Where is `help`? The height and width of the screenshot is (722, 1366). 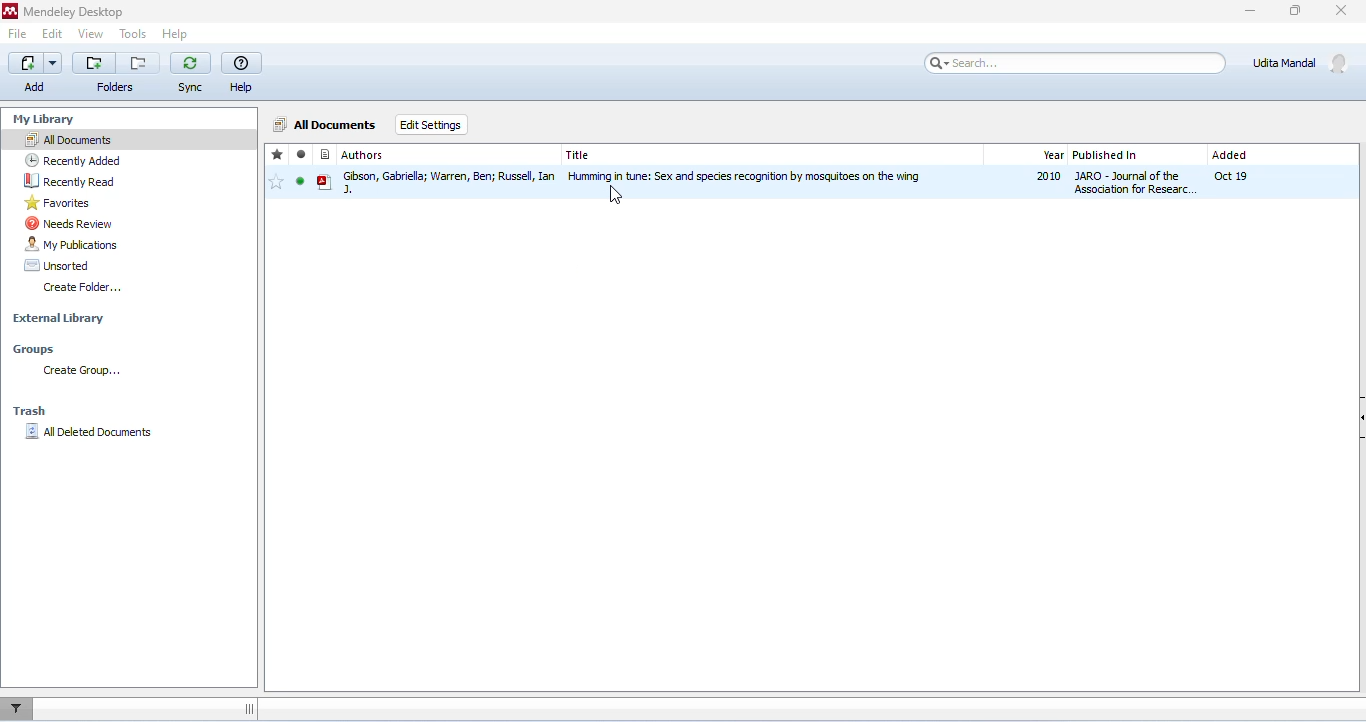
help is located at coordinates (175, 36).